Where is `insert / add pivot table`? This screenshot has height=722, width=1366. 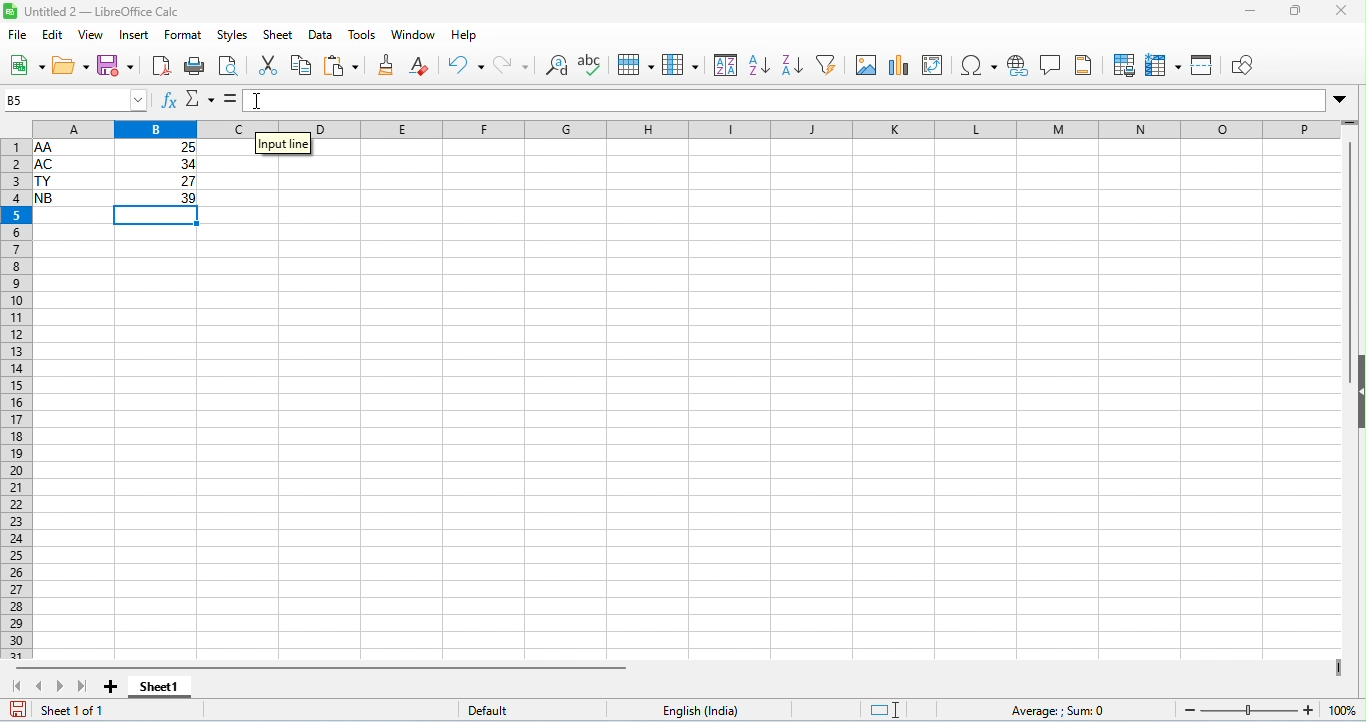 insert / add pivot table is located at coordinates (933, 65).